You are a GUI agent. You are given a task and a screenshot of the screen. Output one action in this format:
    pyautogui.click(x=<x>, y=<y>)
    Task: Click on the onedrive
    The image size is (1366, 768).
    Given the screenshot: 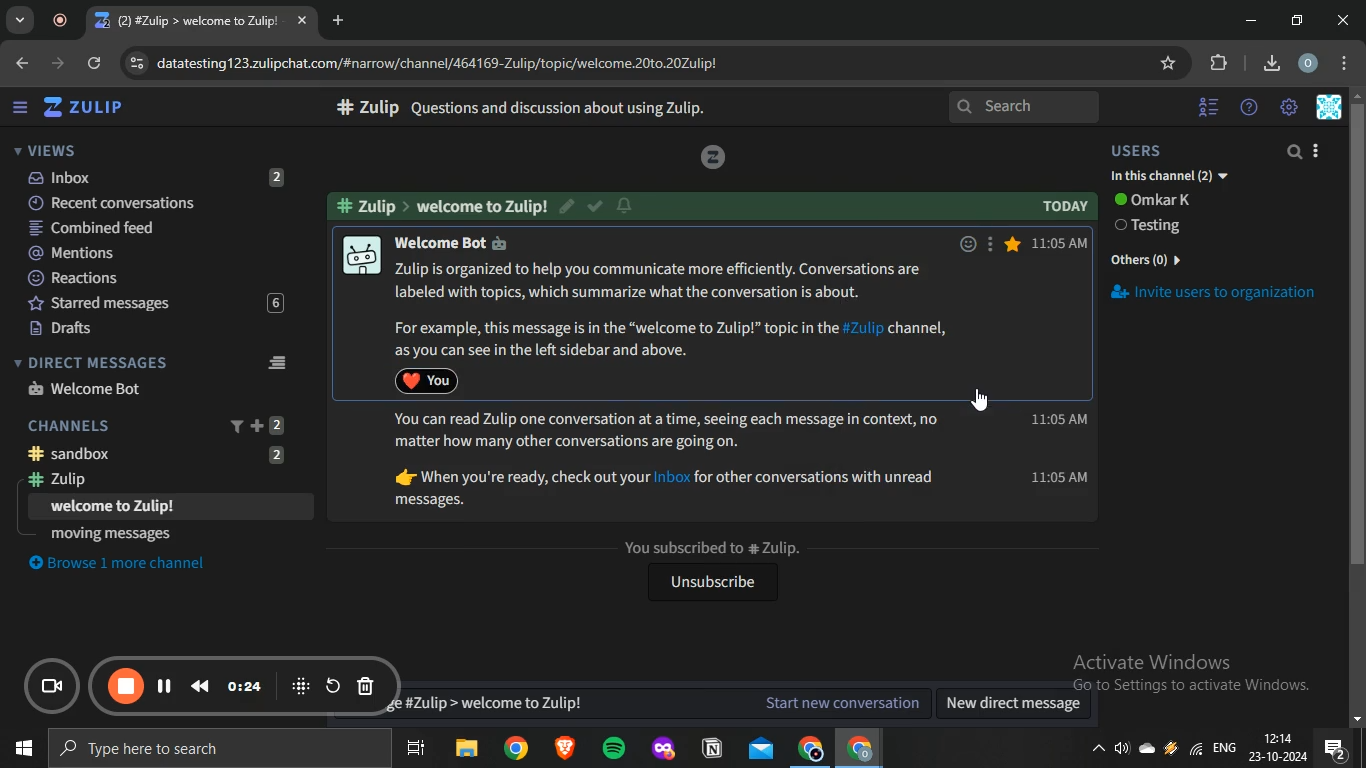 What is the action you would take?
    pyautogui.click(x=1150, y=750)
    